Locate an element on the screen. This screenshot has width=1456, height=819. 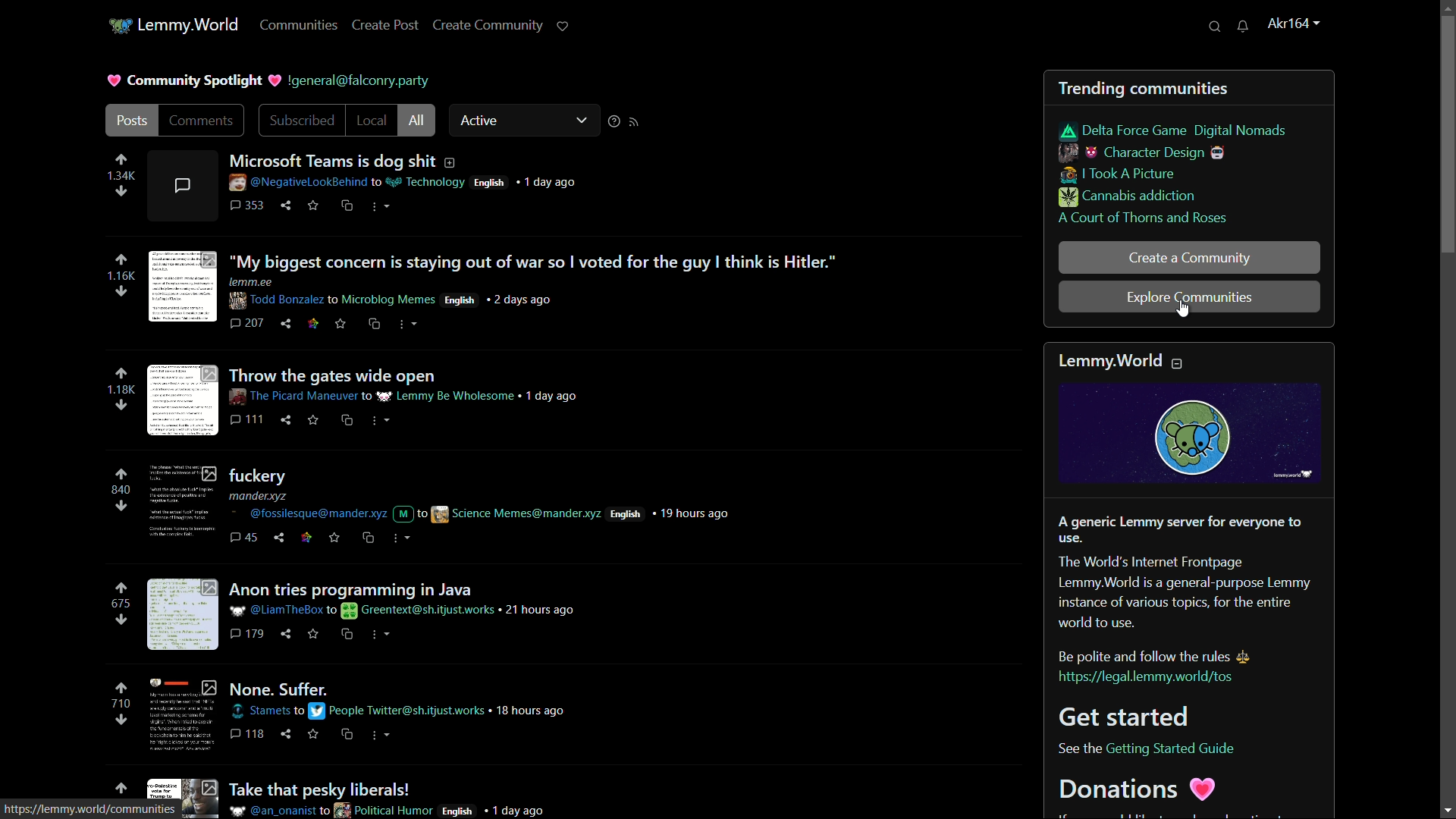
post details is located at coordinates (487, 507).